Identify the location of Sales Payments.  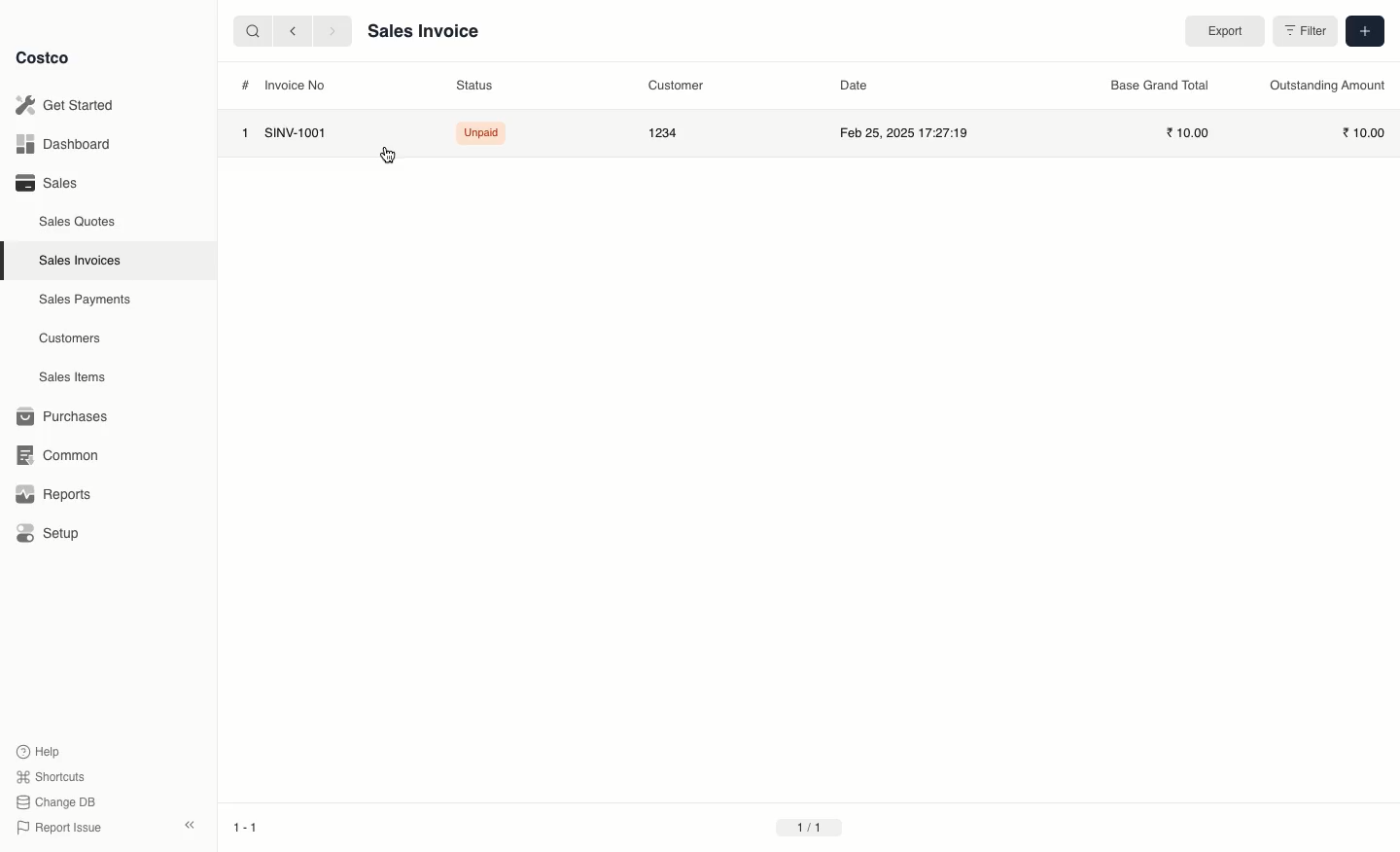
(81, 301).